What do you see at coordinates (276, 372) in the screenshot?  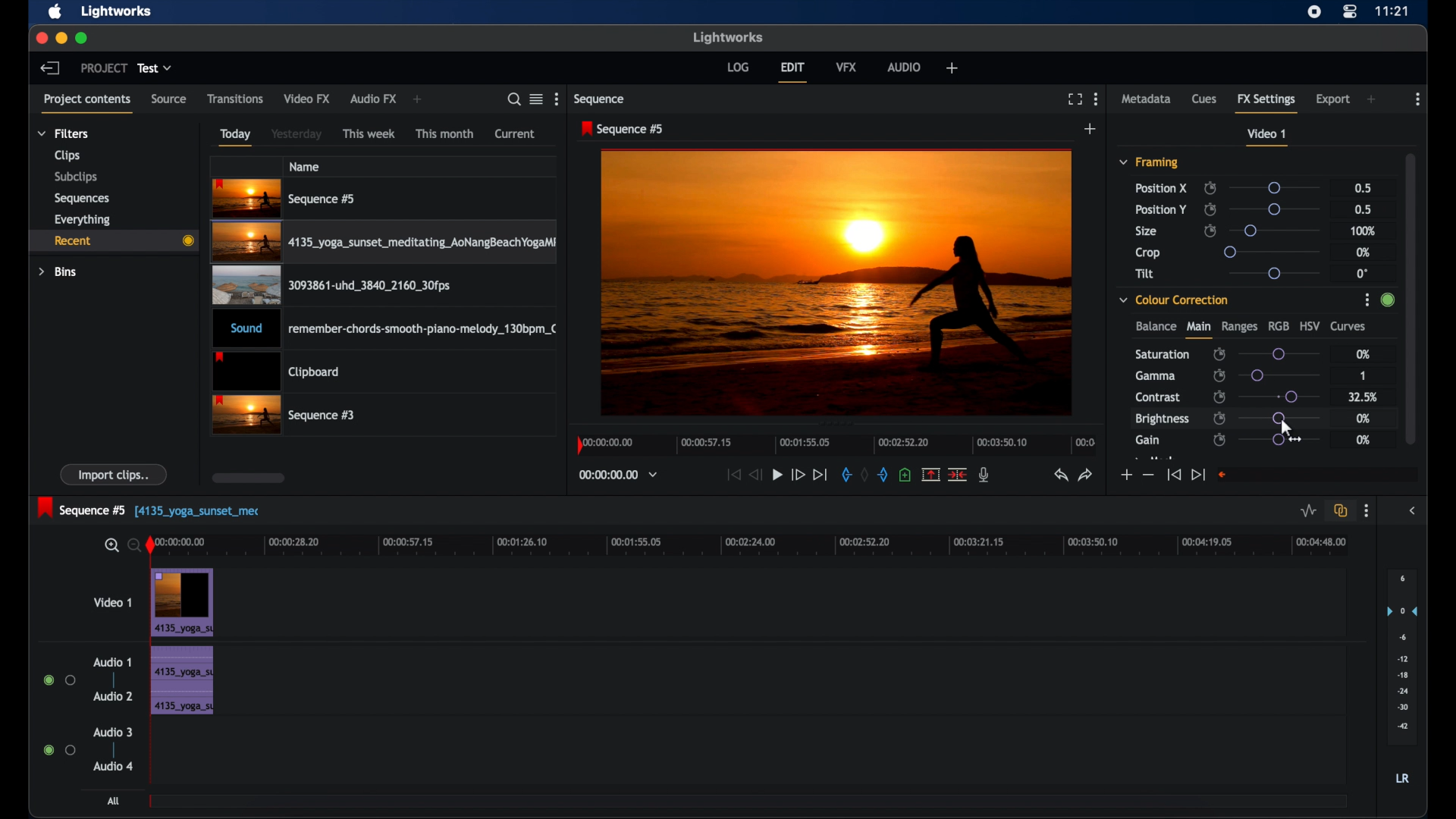 I see `clipboard` at bounding box center [276, 372].